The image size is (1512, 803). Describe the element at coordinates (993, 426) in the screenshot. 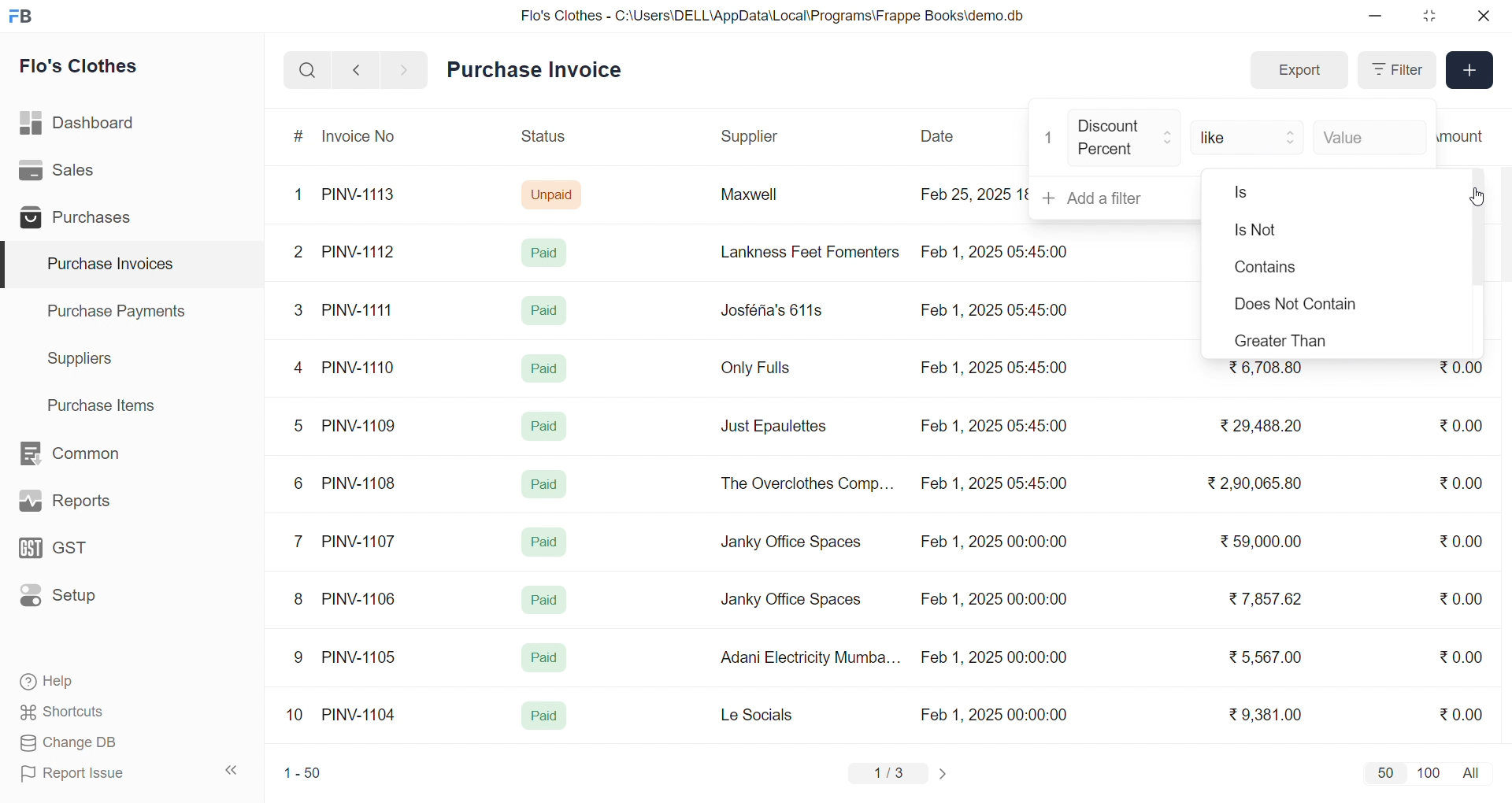

I see `Feb 1, 2025 05:45:00` at that location.